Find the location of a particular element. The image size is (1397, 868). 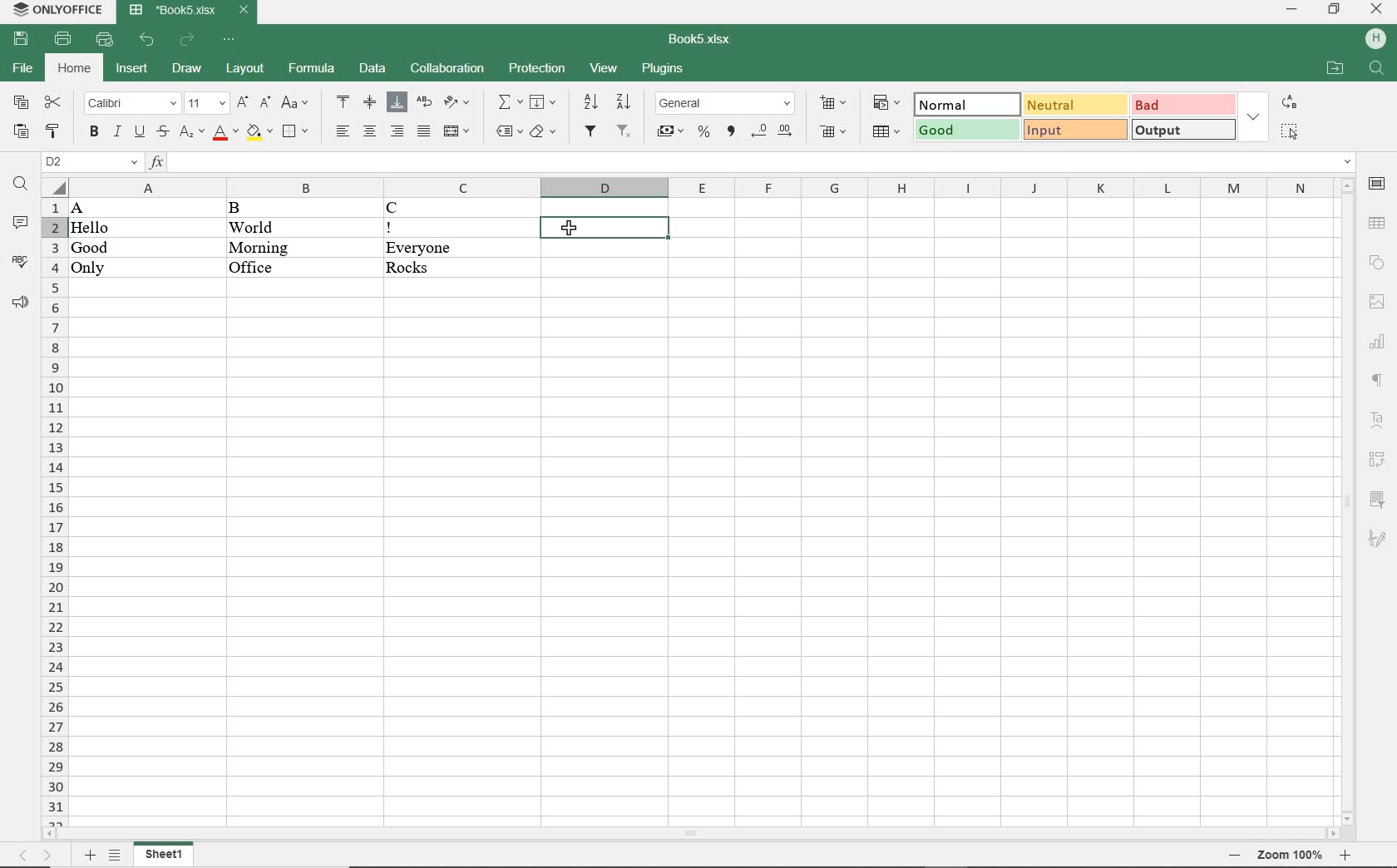

FIND is located at coordinates (22, 184).